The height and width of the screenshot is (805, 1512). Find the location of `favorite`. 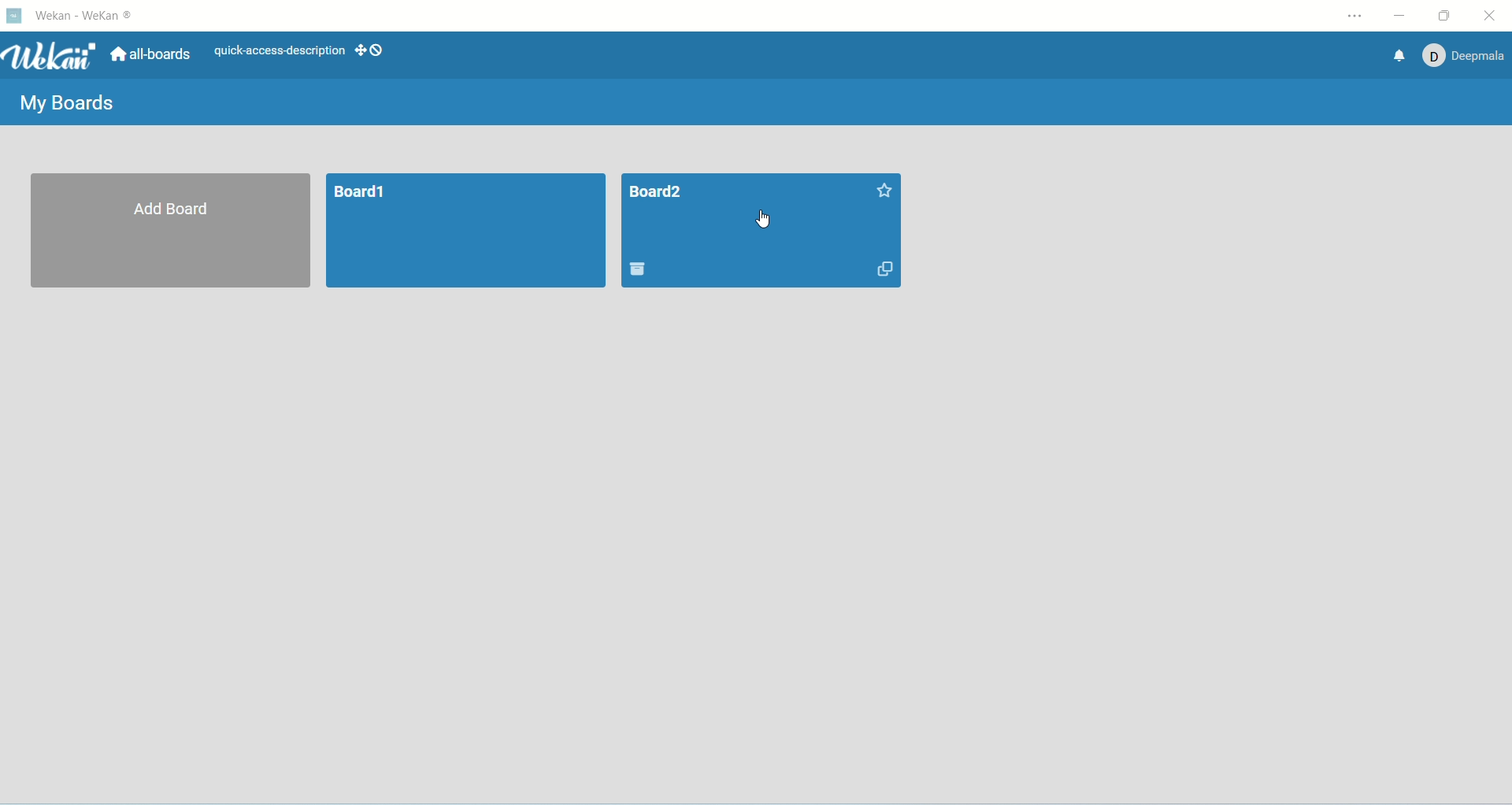

favorite is located at coordinates (885, 192).